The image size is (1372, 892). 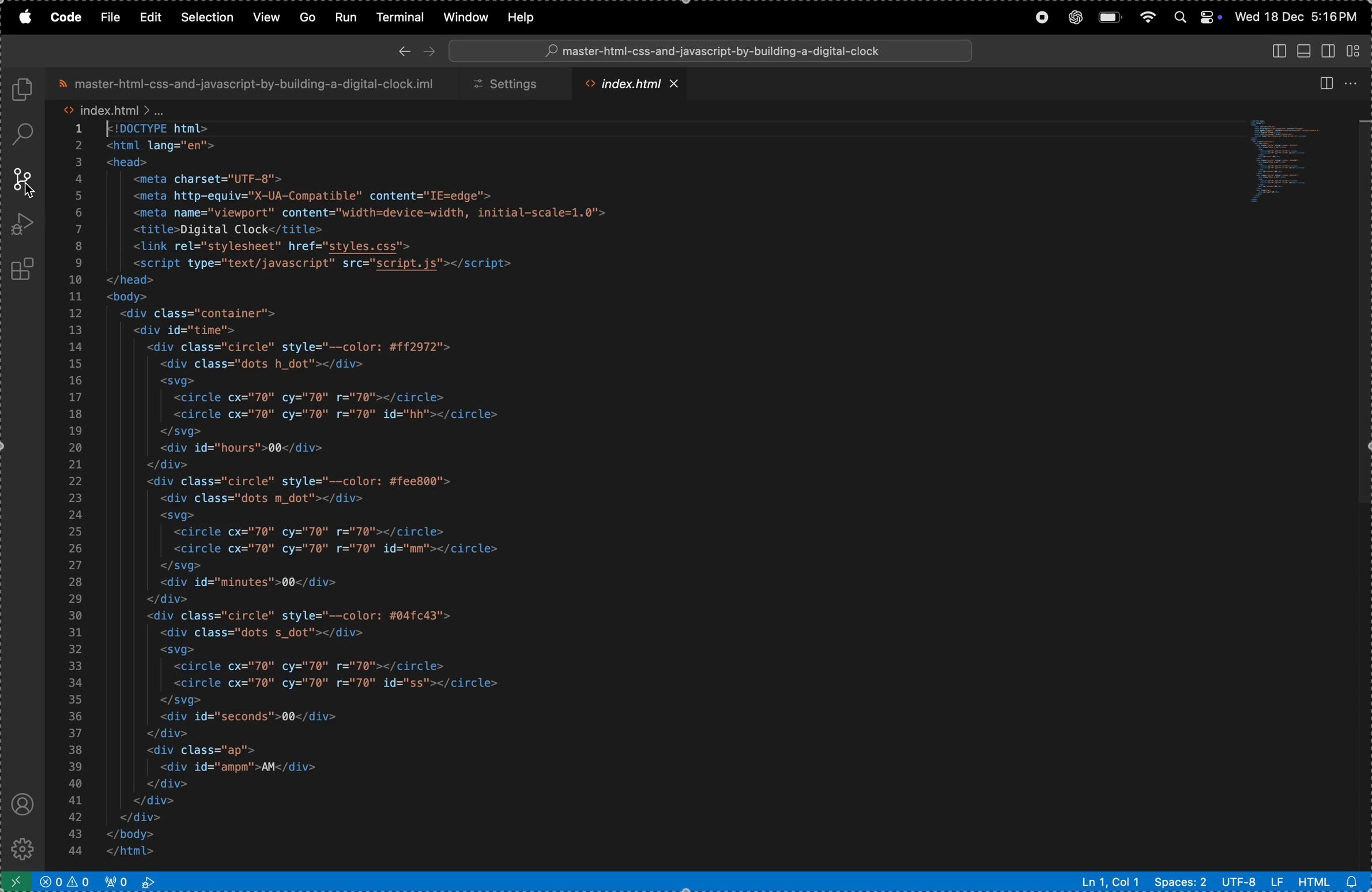 What do you see at coordinates (307, 531) in the screenshot?
I see `<circle cx="70" cy="70" r="70"></circle>` at bounding box center [307, 531].